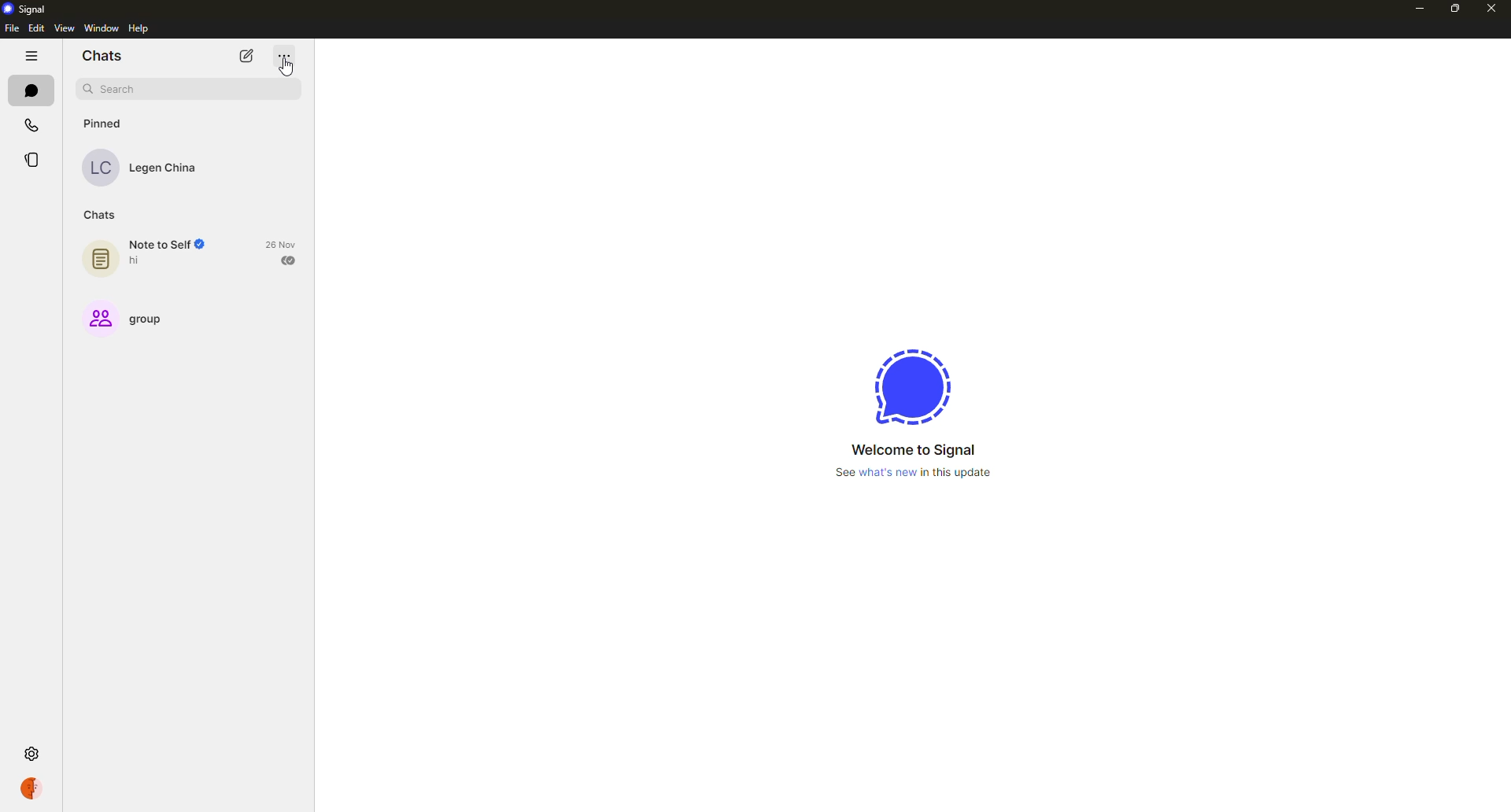 The height and width of the screenshot is (812, 1511). I want to click on chats, so click(100, 215).